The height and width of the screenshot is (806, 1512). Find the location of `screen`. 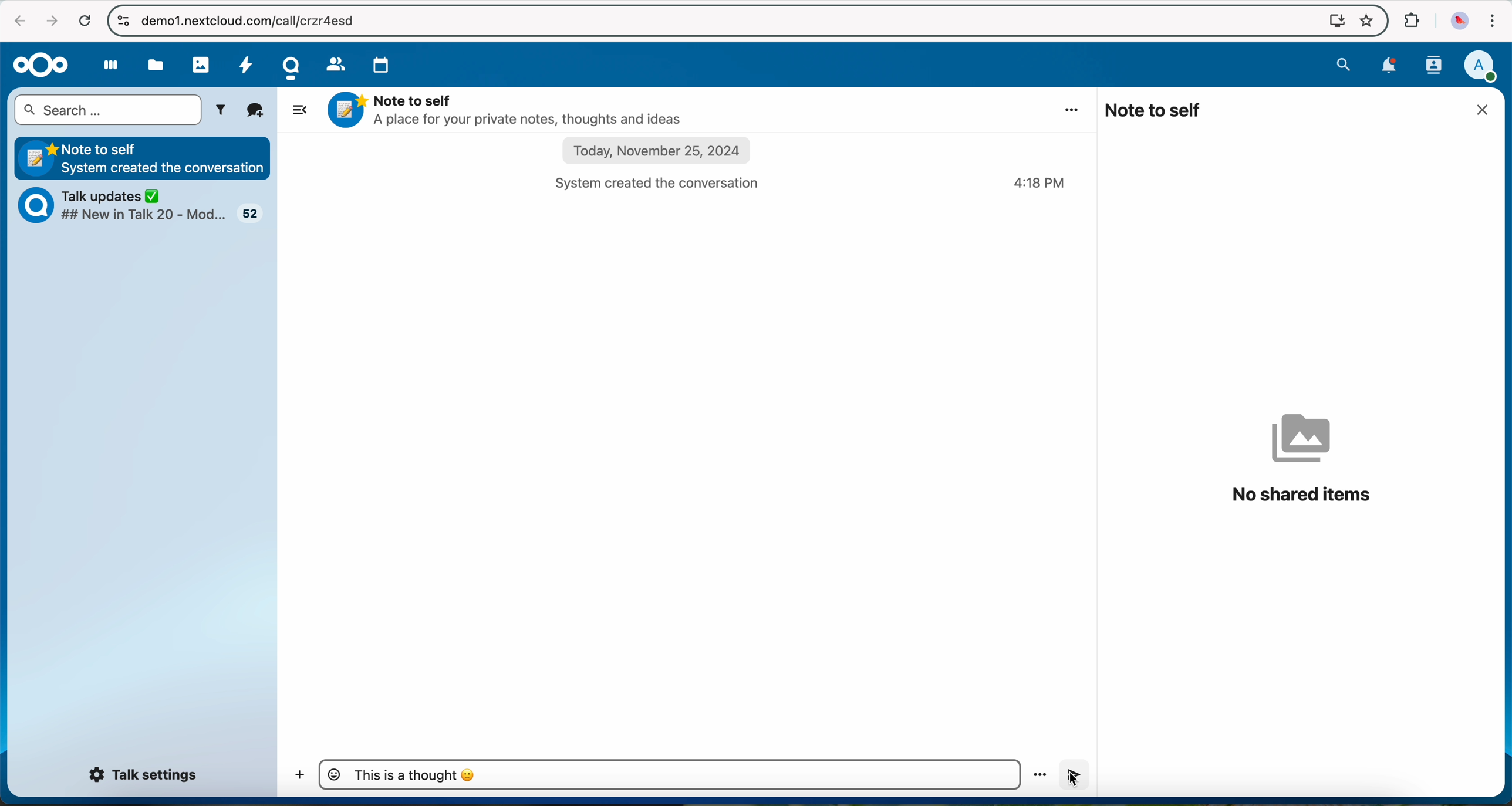

screen is located at coordinates (1332, 21).